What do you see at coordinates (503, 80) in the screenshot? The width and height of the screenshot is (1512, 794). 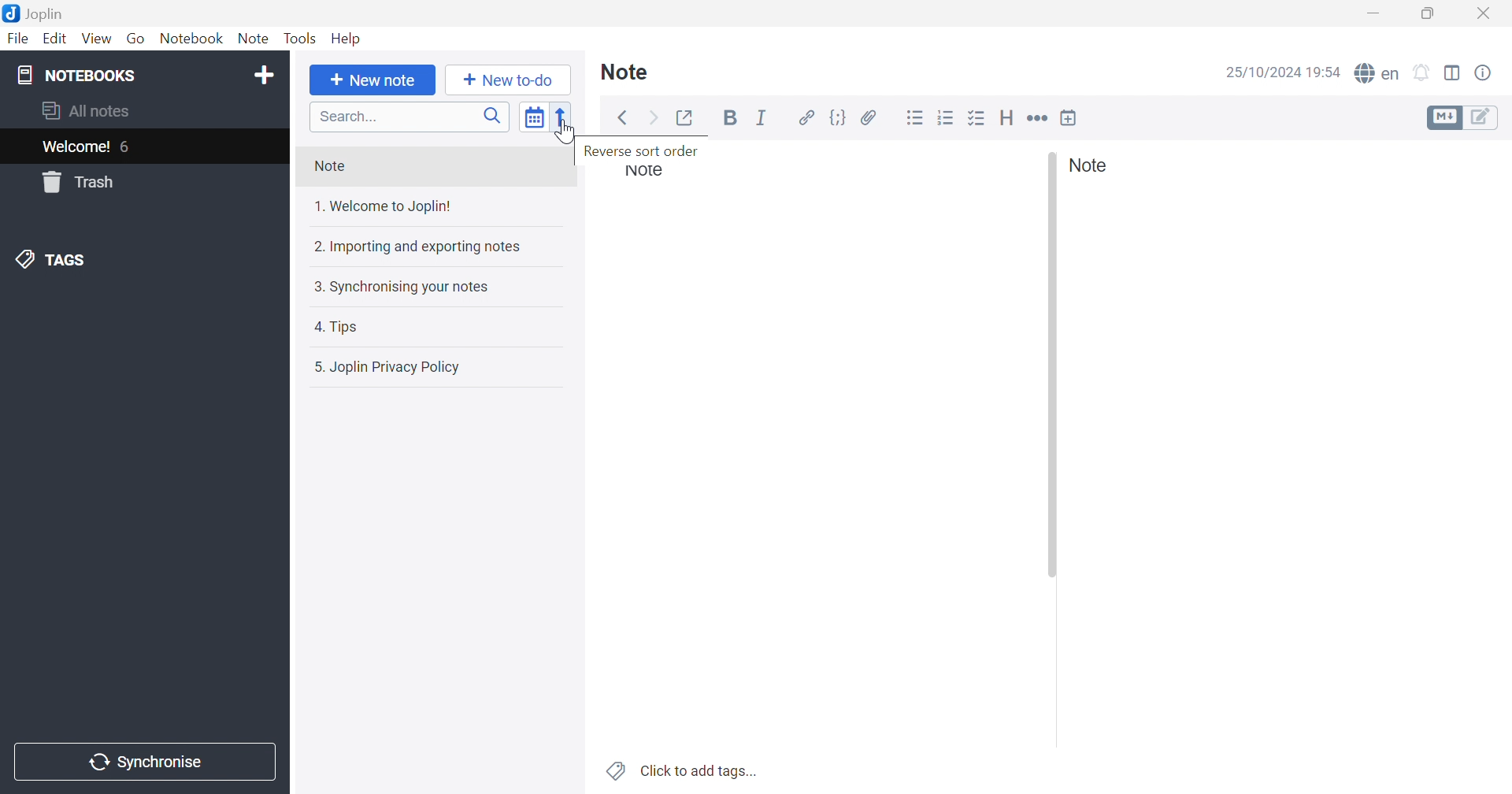 I see `+ New to-do` at bounding box center [503, 80].